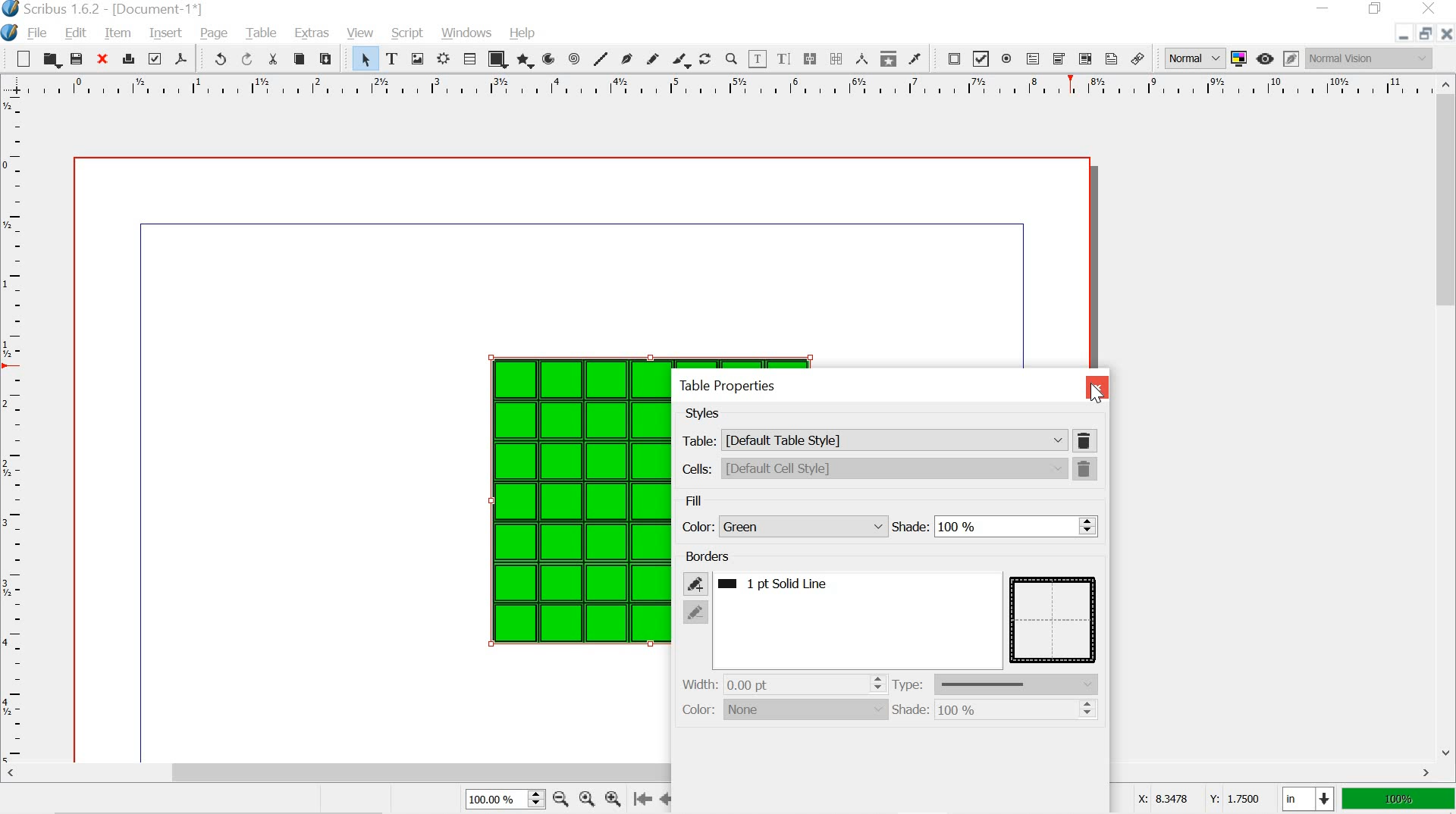 This screenshot has width=1456, height=814. Describe the element at coordinates (809, 59) in the screenshot. I see `link text frames` at that location.